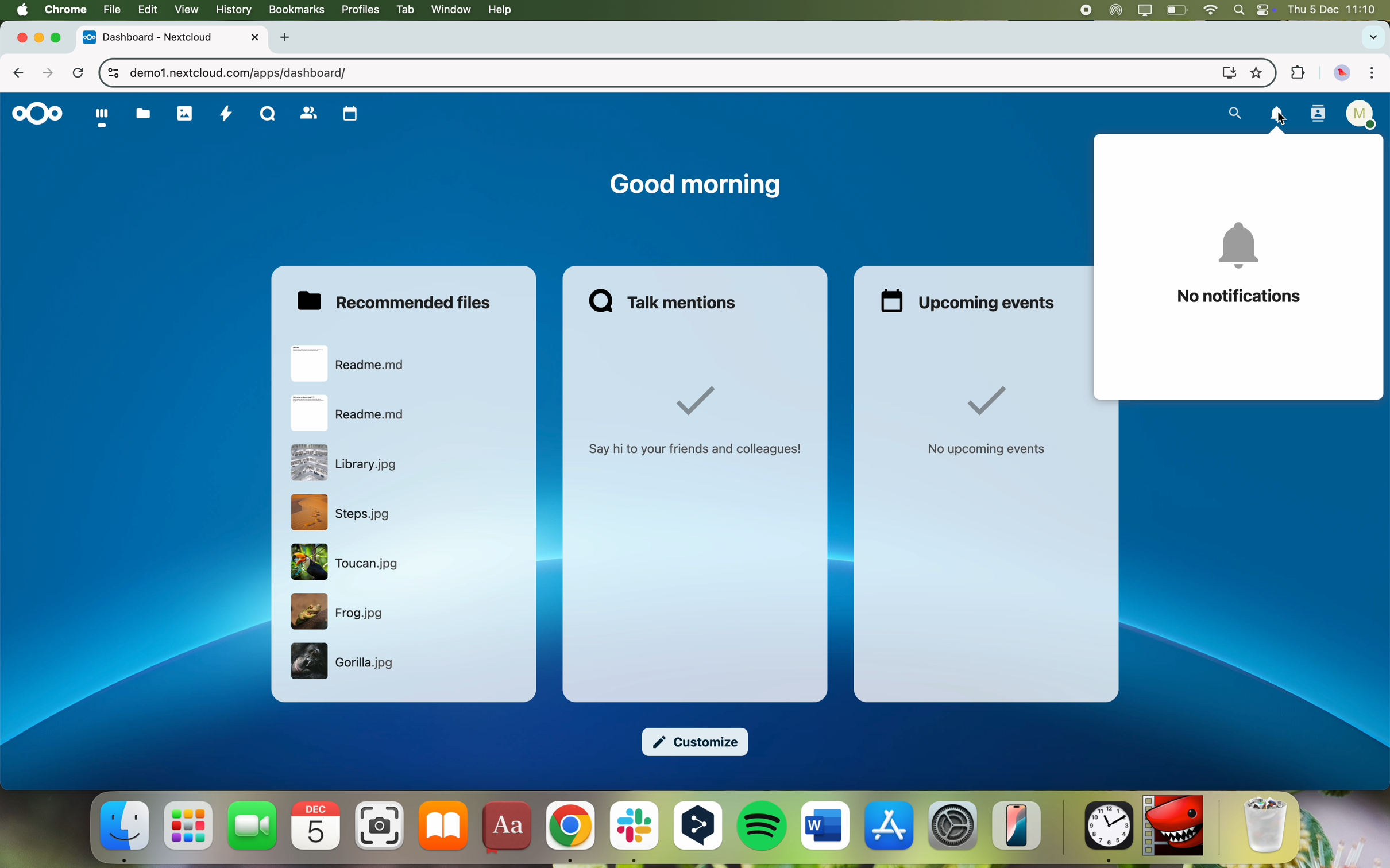 This screenshot has width=1390, height=868. Describe the element at coordinates (1211, 9) in the screenshot. I see `wifi` at that location.